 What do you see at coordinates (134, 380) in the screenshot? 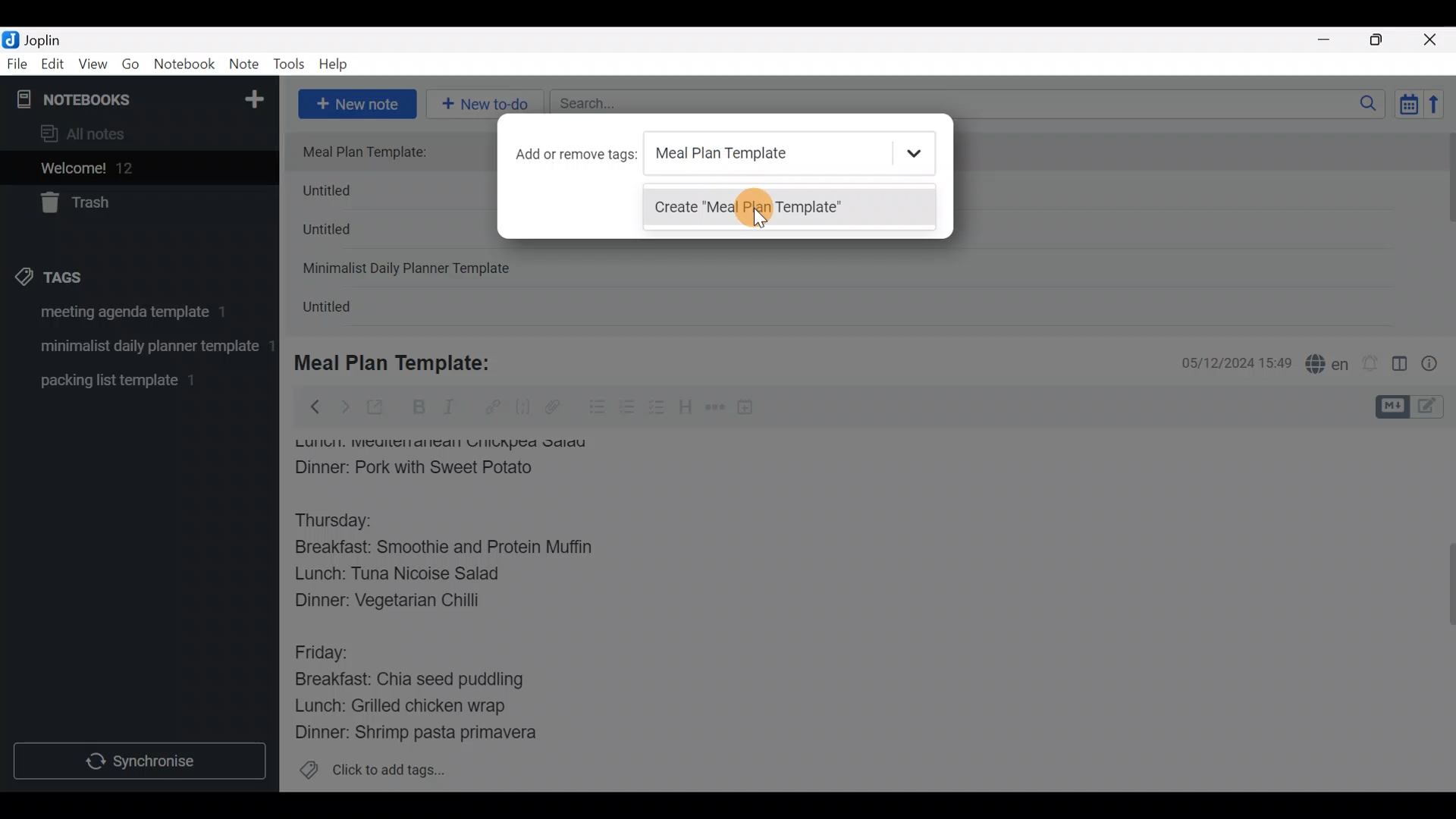
I see `Tag 3` at bounding box center [134, 380].